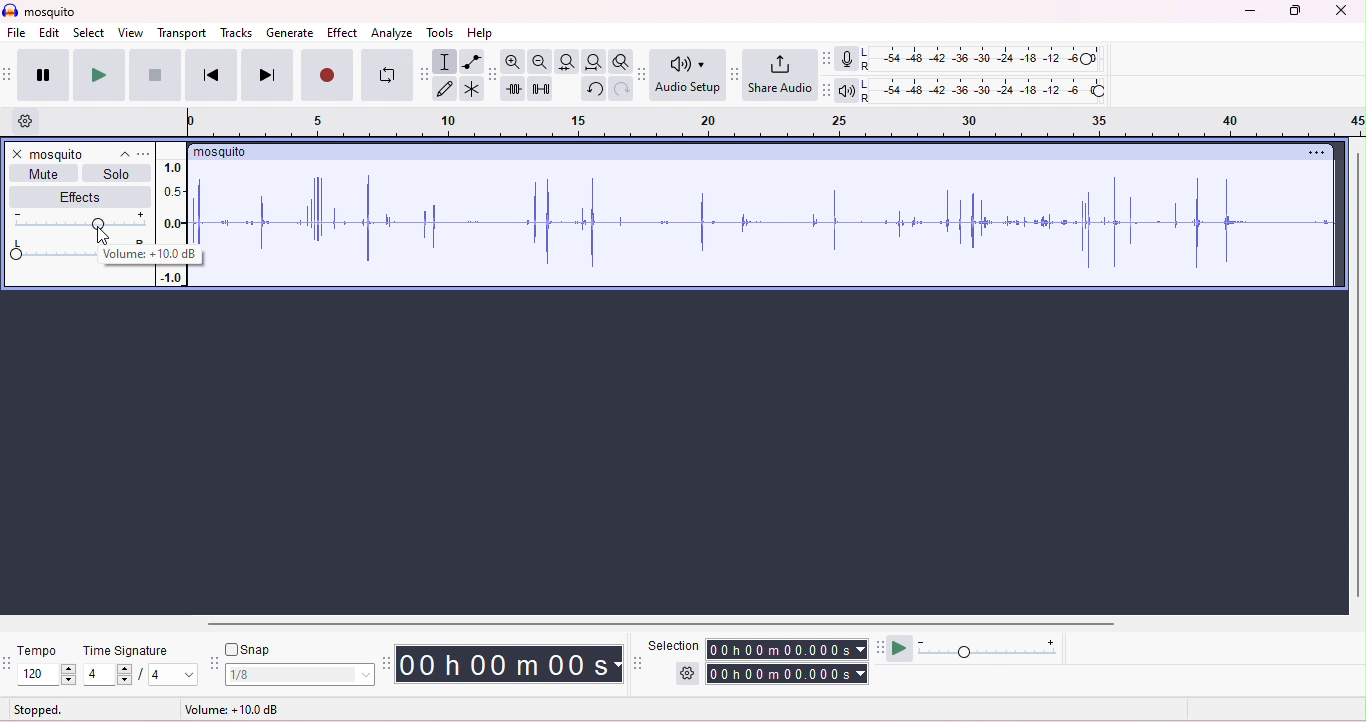 The height and width of the screenshot is (722, 1366). Describe the element at coordinates (787, 674) in the screenshot. I see `total time` at that location.